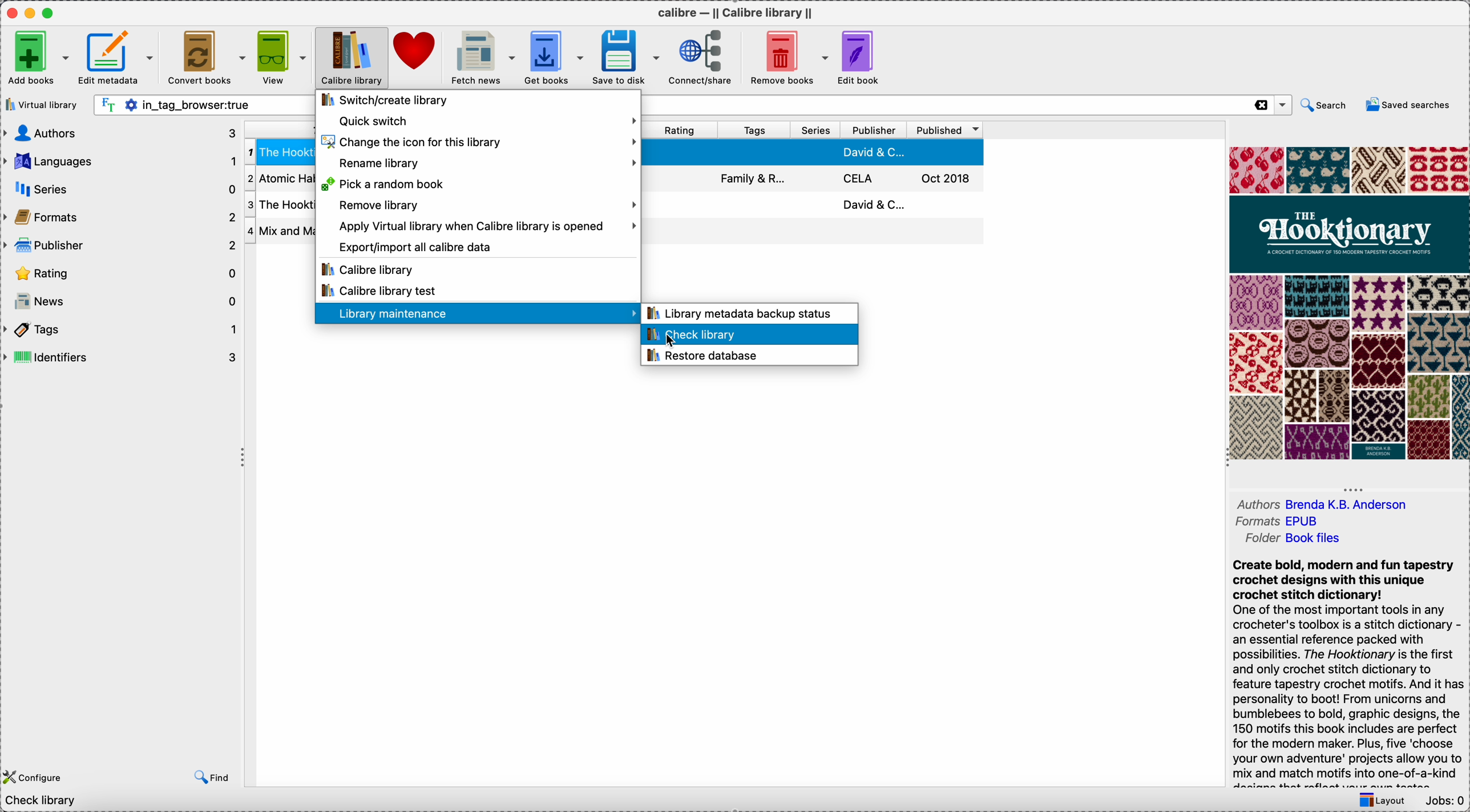 The height and width of the screenshot is (812, 1470). I want to click on virtual library, so click(41, 104).